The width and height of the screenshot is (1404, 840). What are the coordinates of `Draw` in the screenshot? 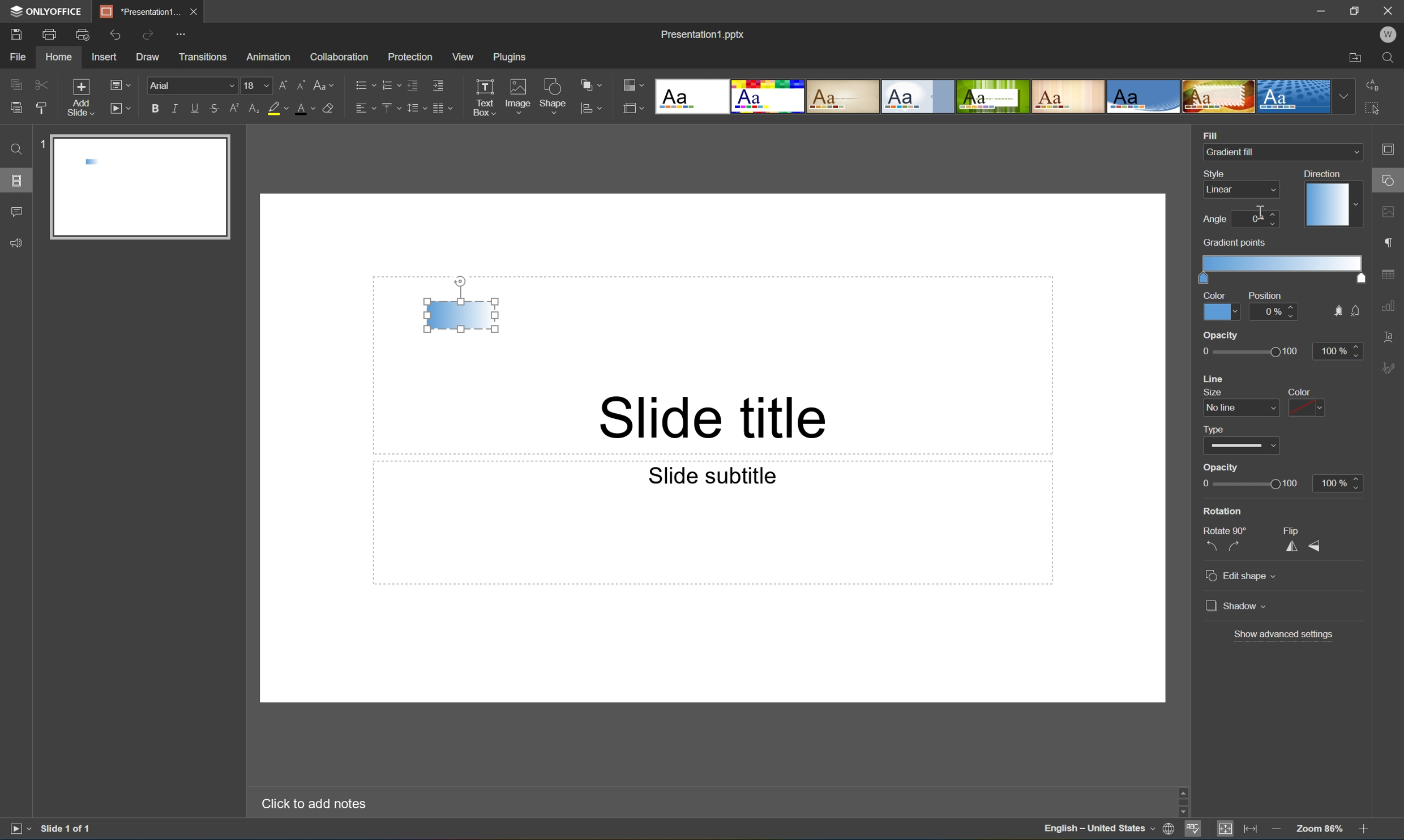 It's located at (149, 57).